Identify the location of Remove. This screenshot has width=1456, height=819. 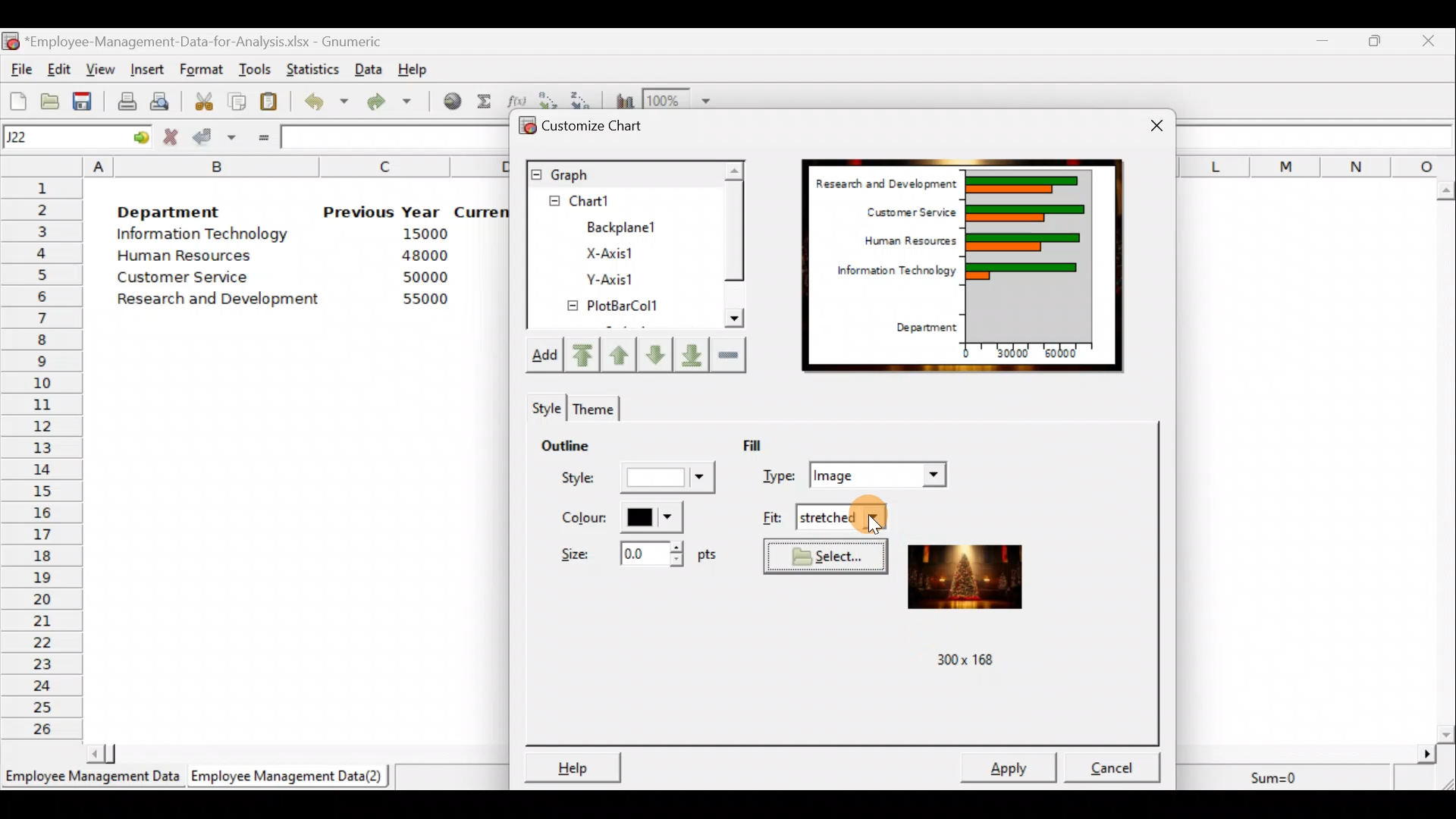
(730, 356).